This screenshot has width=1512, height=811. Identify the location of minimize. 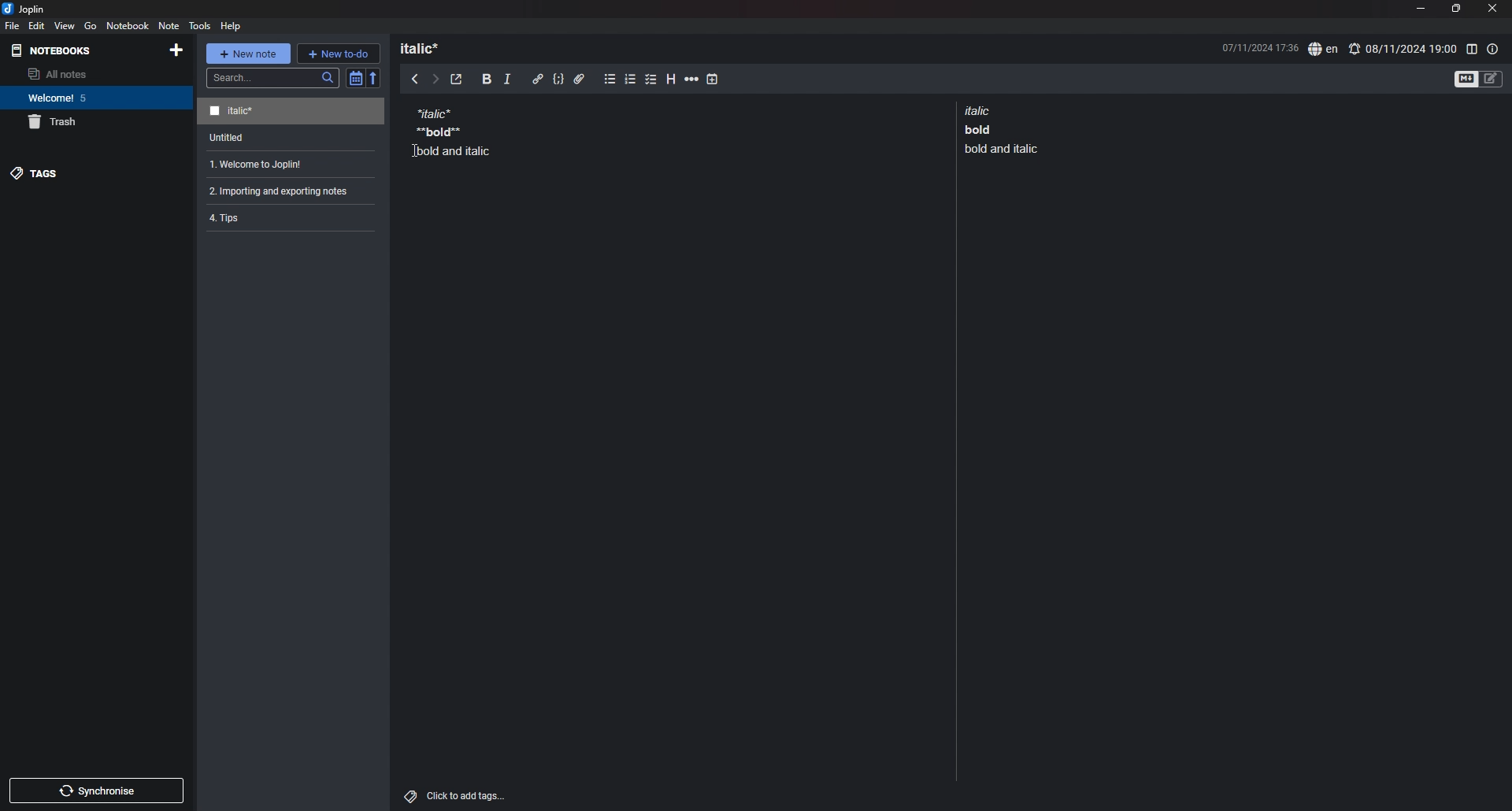
(1420, 8).